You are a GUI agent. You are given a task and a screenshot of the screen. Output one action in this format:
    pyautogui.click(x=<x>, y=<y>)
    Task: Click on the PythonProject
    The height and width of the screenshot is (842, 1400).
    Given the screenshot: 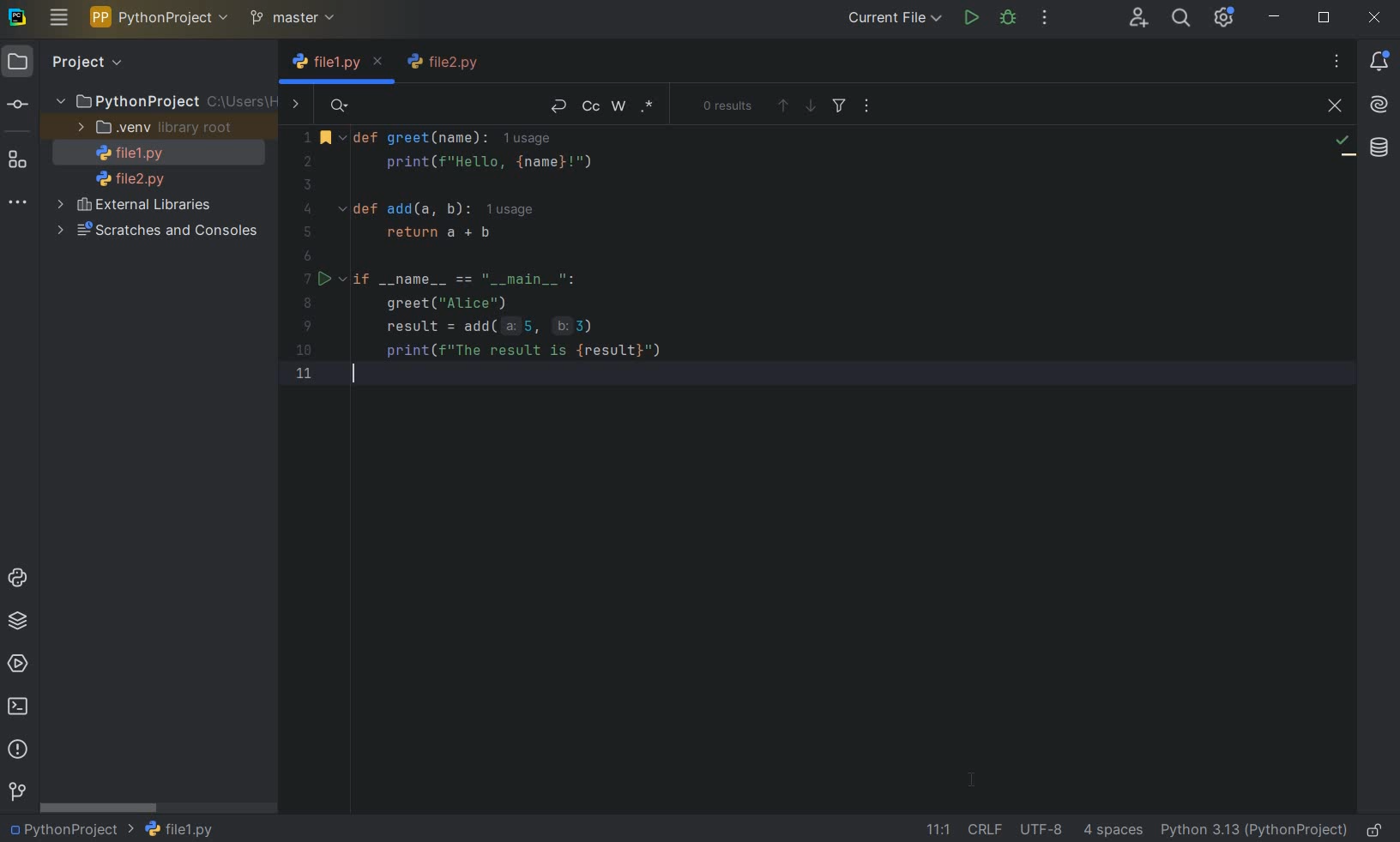 What is the action you would take?
    pyautogui.click(x=165, y=103)
    